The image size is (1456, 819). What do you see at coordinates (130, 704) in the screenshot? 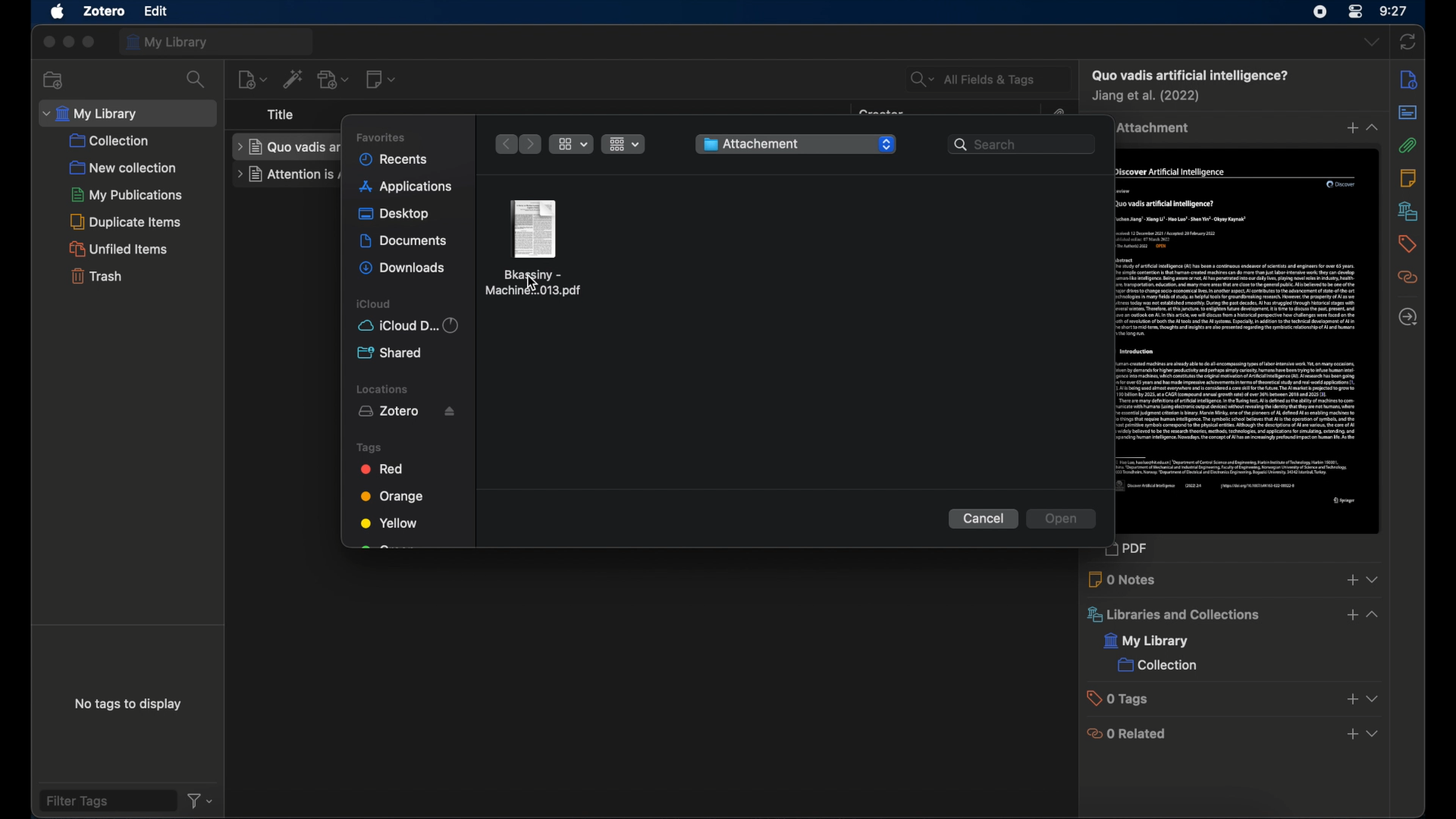
I see `no tags to display` at bounding box center [130, 704].